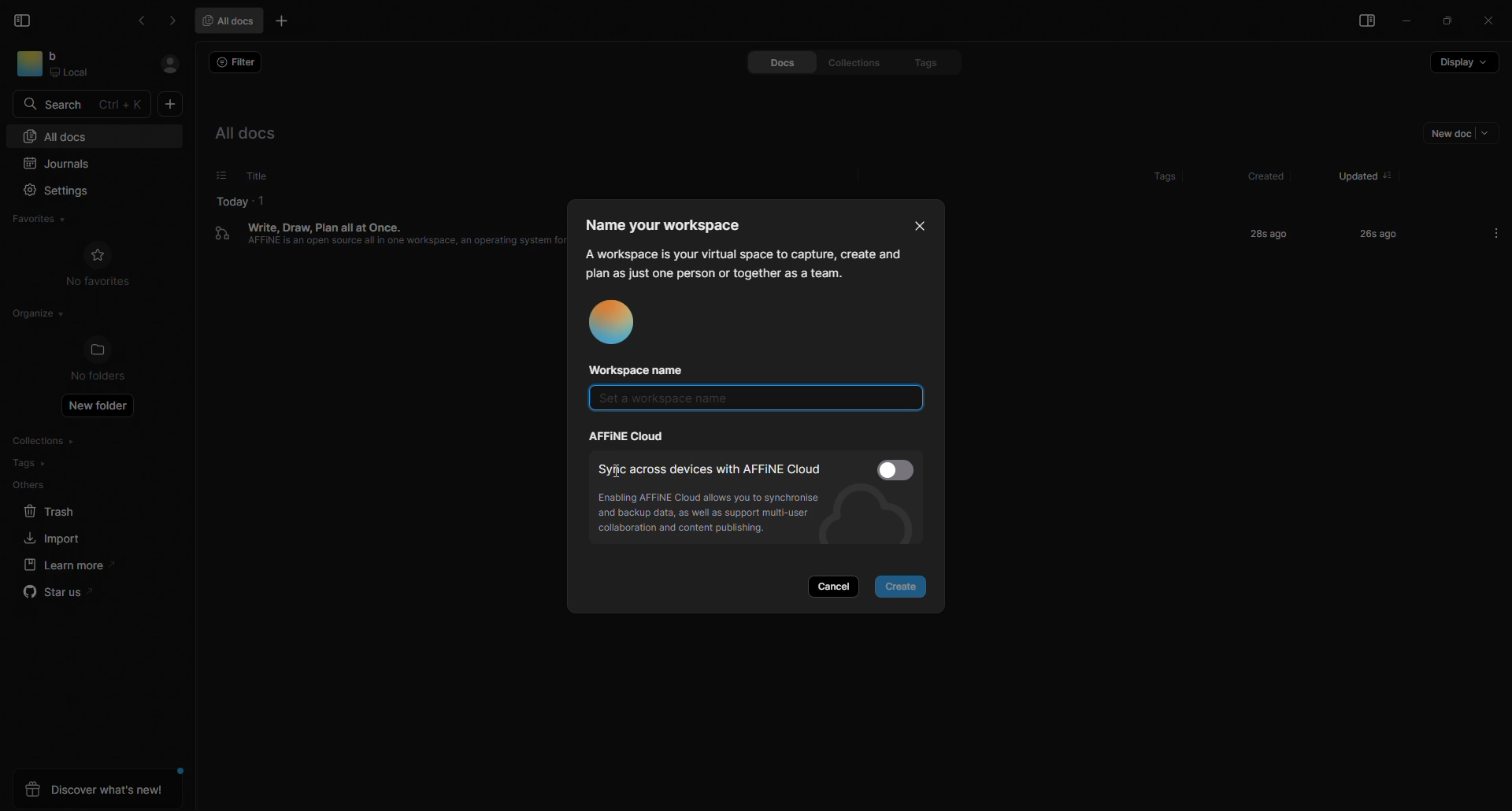 The height and width of the screenshot is (811, 1512). I want to click on write draw pull, so click(387, 245).